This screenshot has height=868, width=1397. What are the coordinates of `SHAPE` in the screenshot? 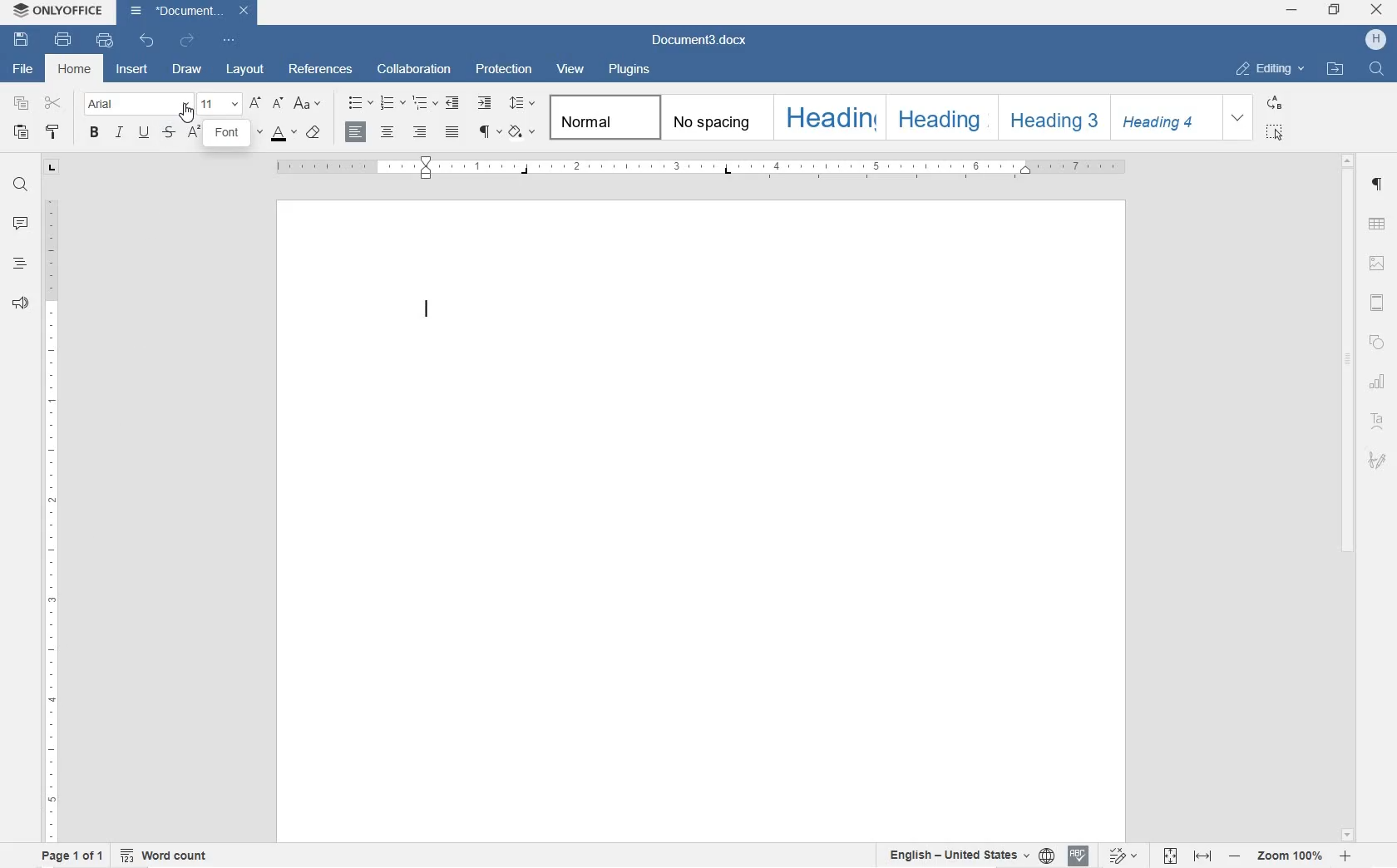 It's located at (1377, 340).